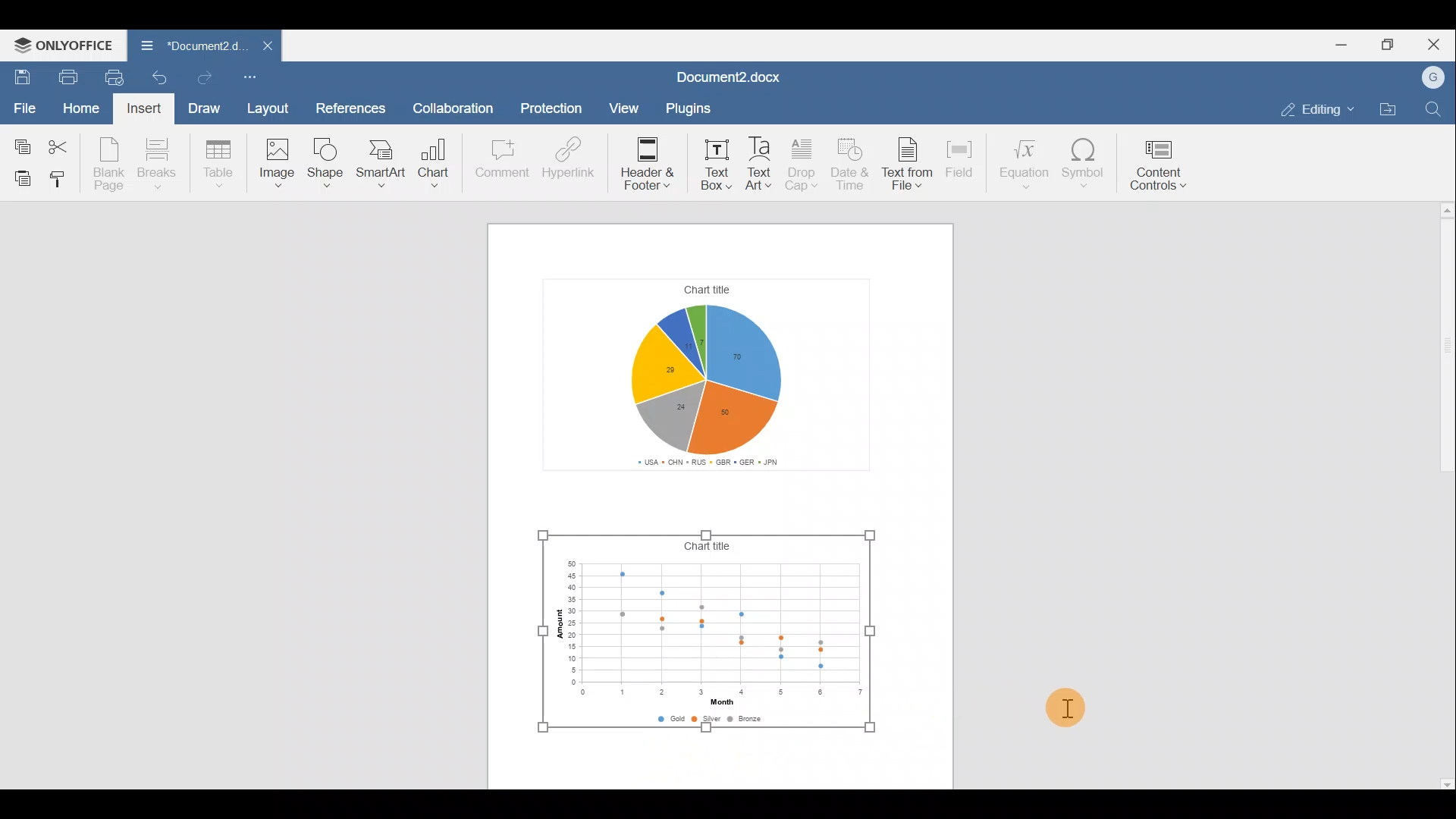  Describe the element at coordinates (19, 178) in the screenshot. I see `Paste` at that location.